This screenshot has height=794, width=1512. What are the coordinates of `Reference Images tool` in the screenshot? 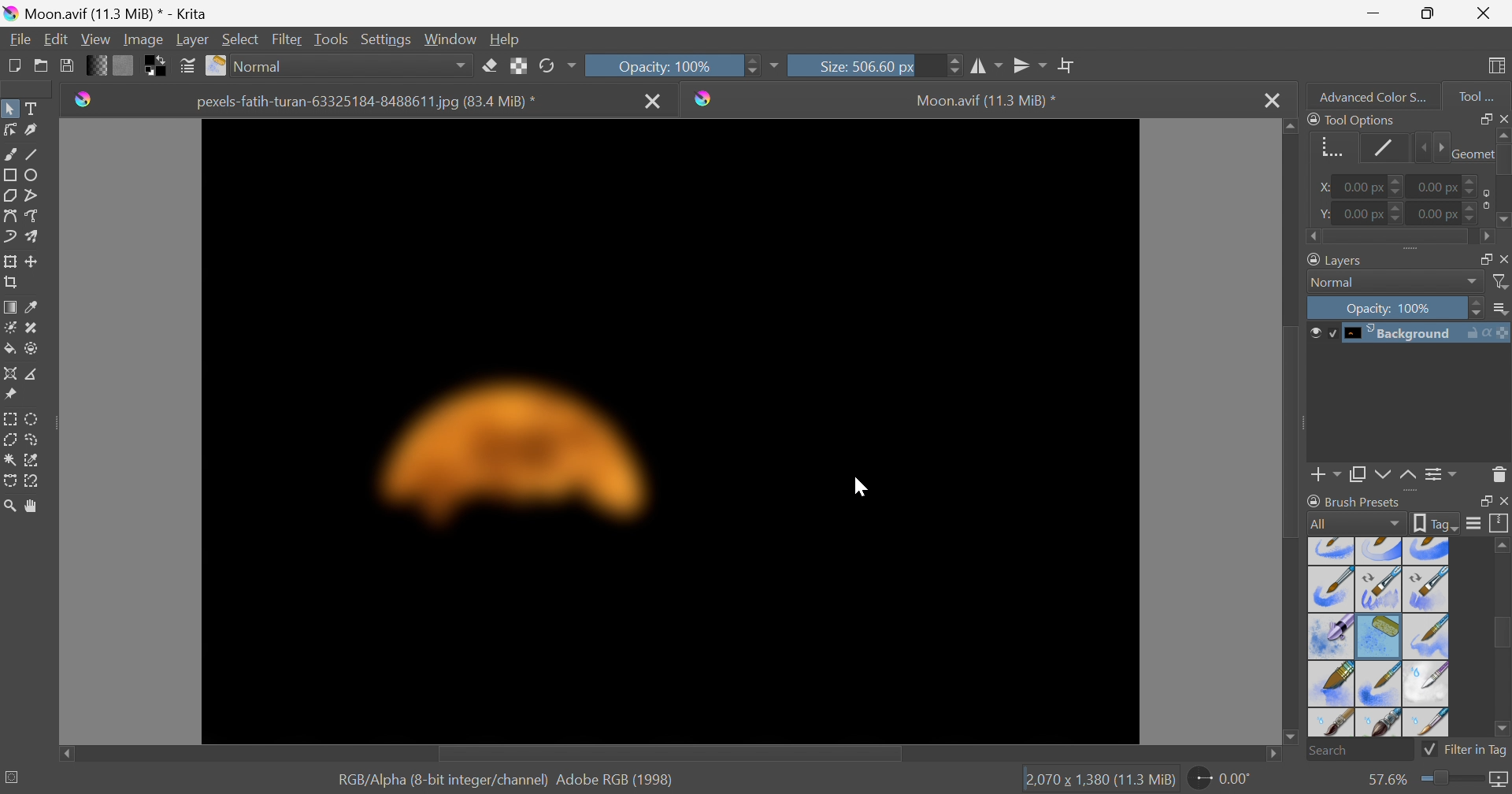 It's located at (13, 393).